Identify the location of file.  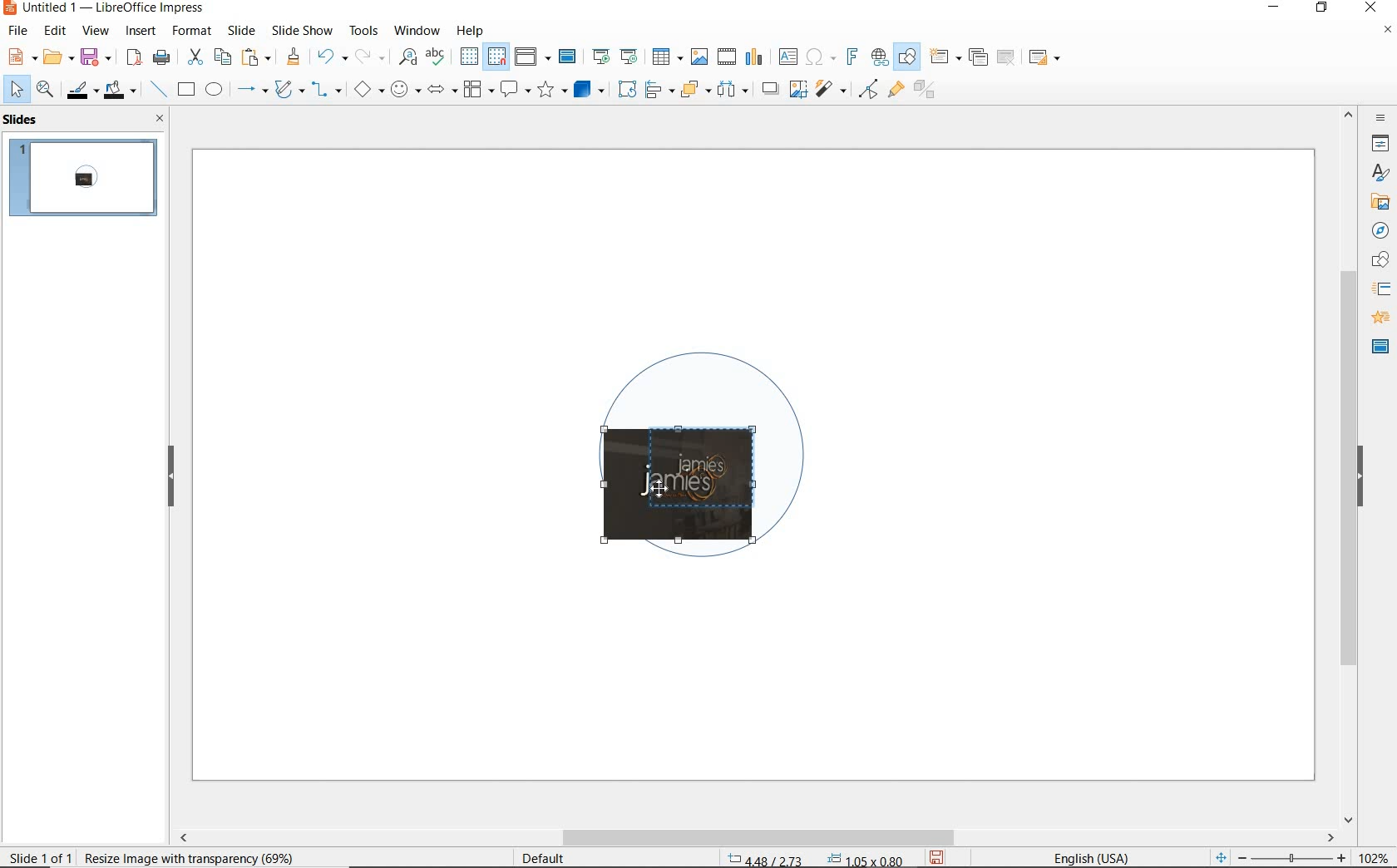
(19, 31).